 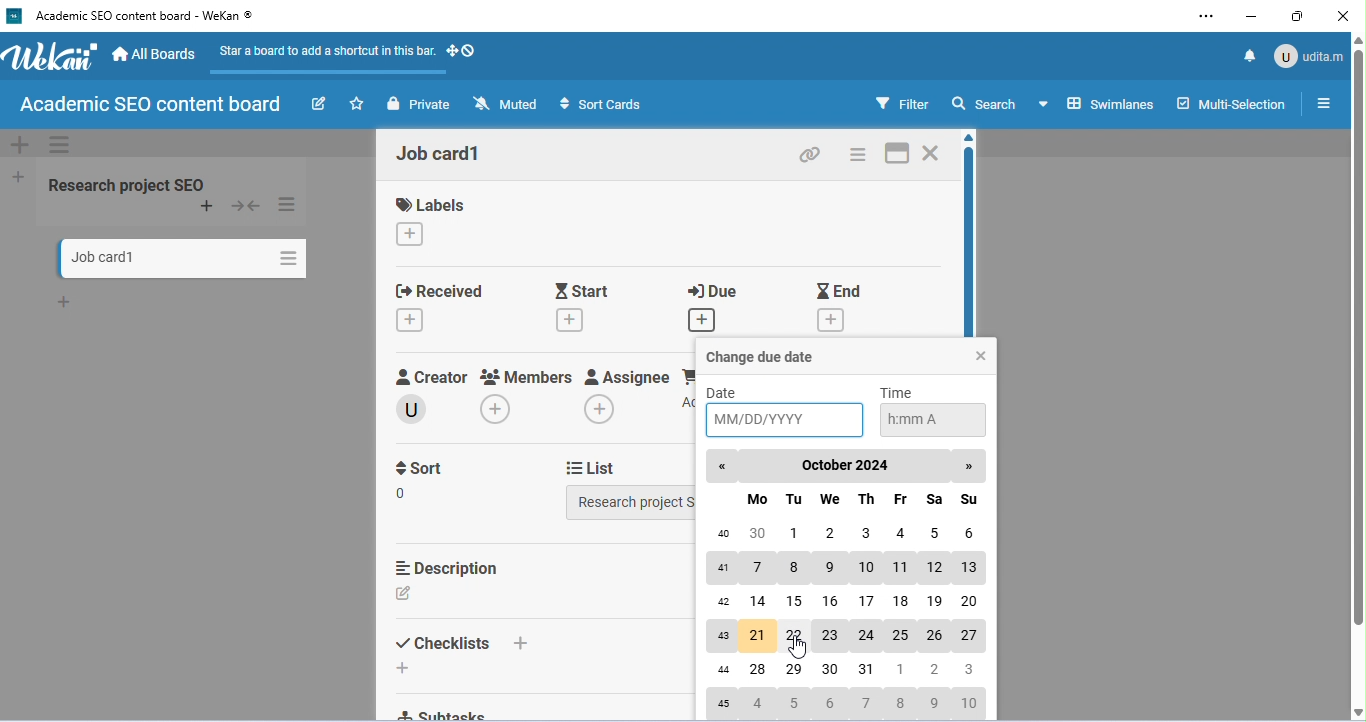 I want to click on maximize card, so click(x=895, y=153).